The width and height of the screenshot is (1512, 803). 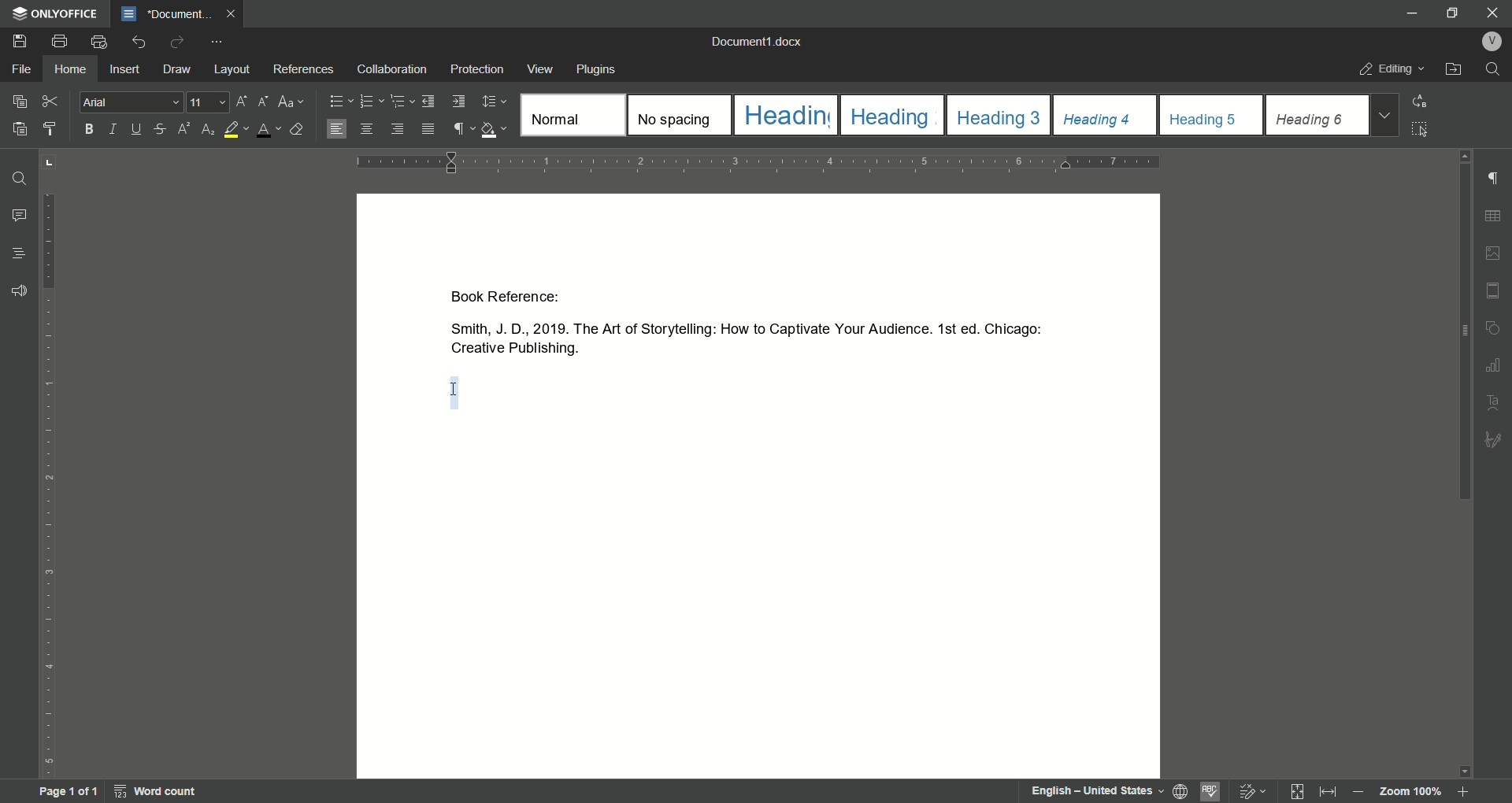 What do you see at coordinates (1492, 252) in the screenshot?
I see `image` at bounding box center [1492, 252].